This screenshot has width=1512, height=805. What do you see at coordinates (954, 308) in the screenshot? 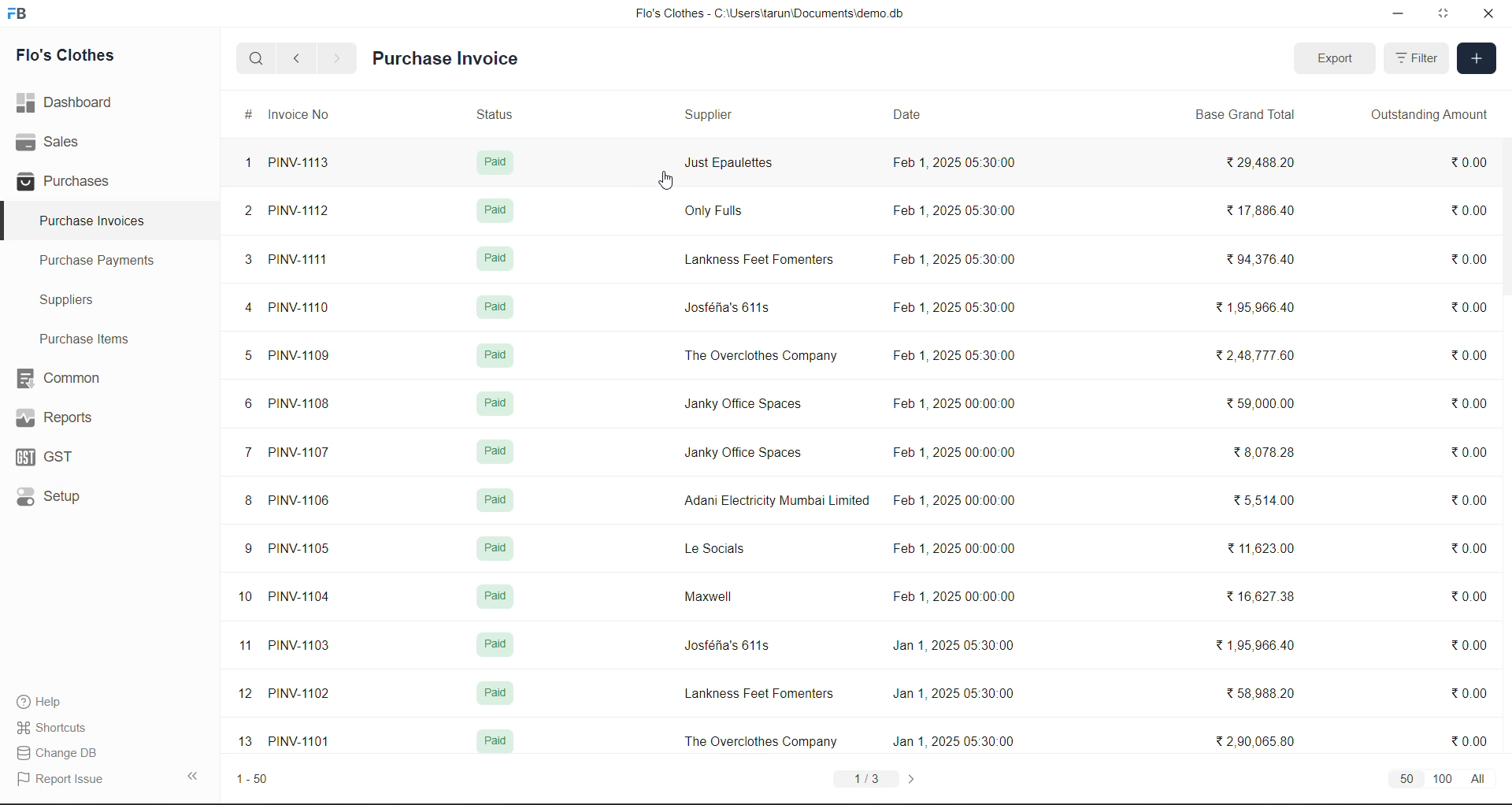
I see `Feb 1, 2025 05:30:00` at bounding box center [954, 308].